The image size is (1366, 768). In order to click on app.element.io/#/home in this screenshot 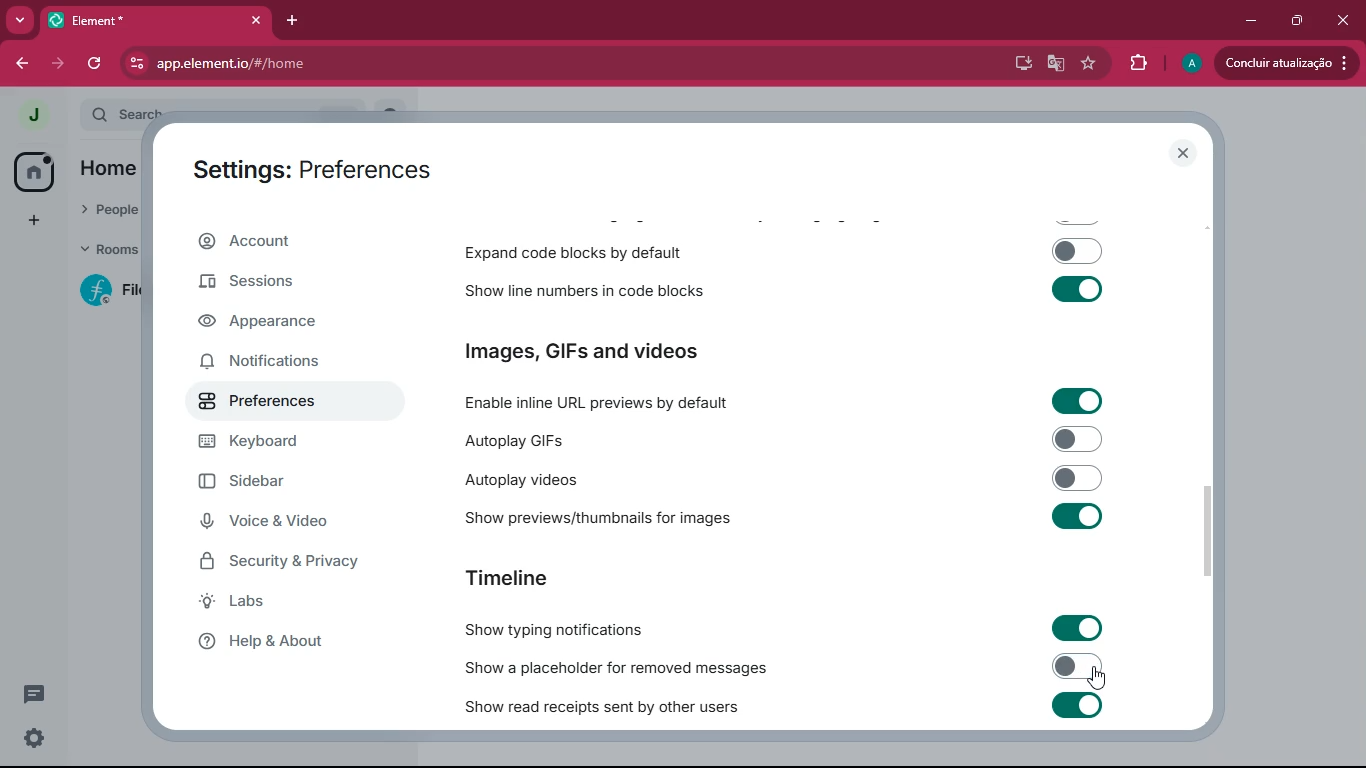, I will do `click(335, 64)`.